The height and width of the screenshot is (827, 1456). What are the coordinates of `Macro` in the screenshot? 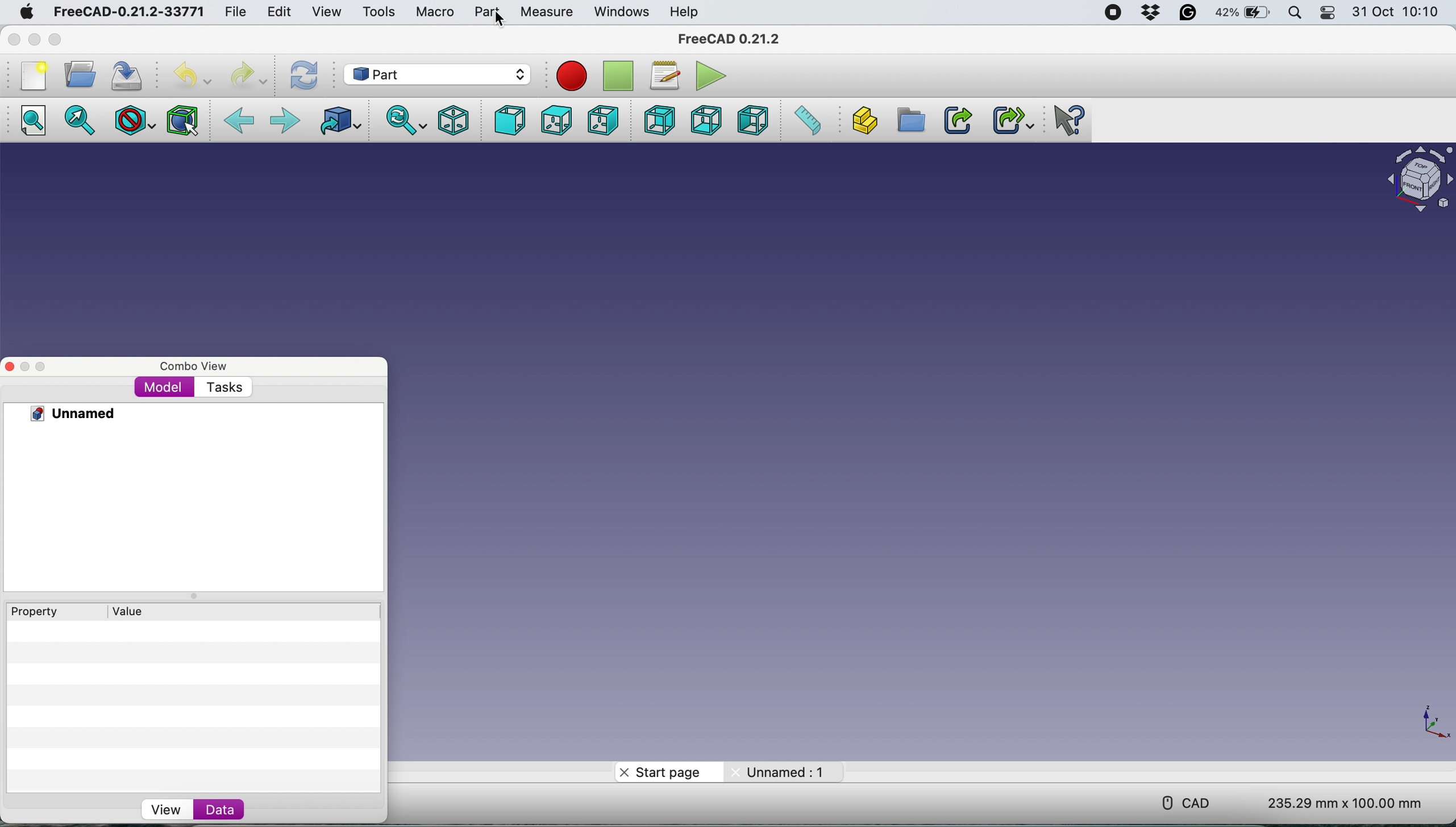 It's located at (438, 11).